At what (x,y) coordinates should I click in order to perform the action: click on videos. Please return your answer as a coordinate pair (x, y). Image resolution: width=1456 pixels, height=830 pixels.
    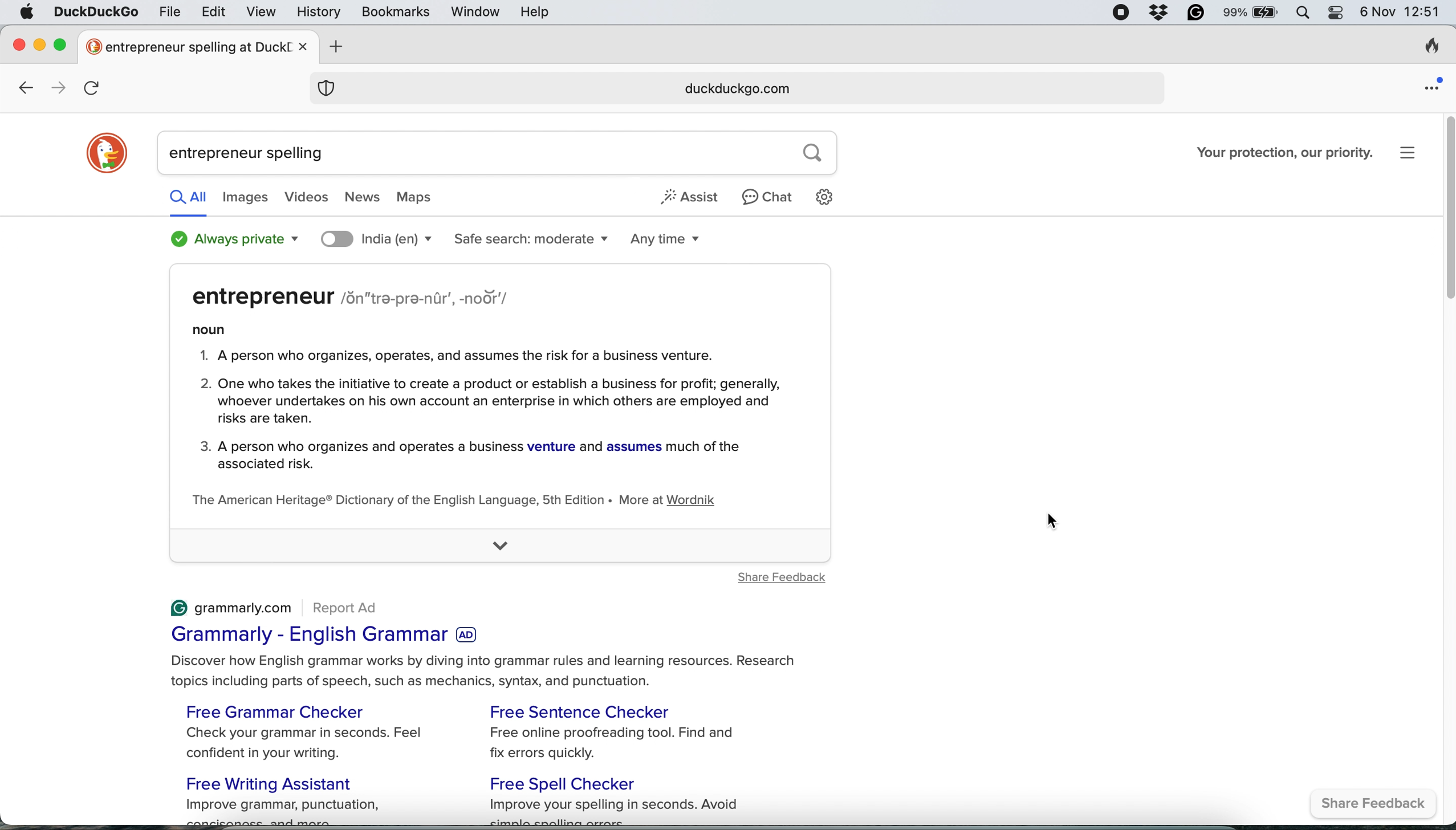
    Looking at the image, I should click on (305, 196).